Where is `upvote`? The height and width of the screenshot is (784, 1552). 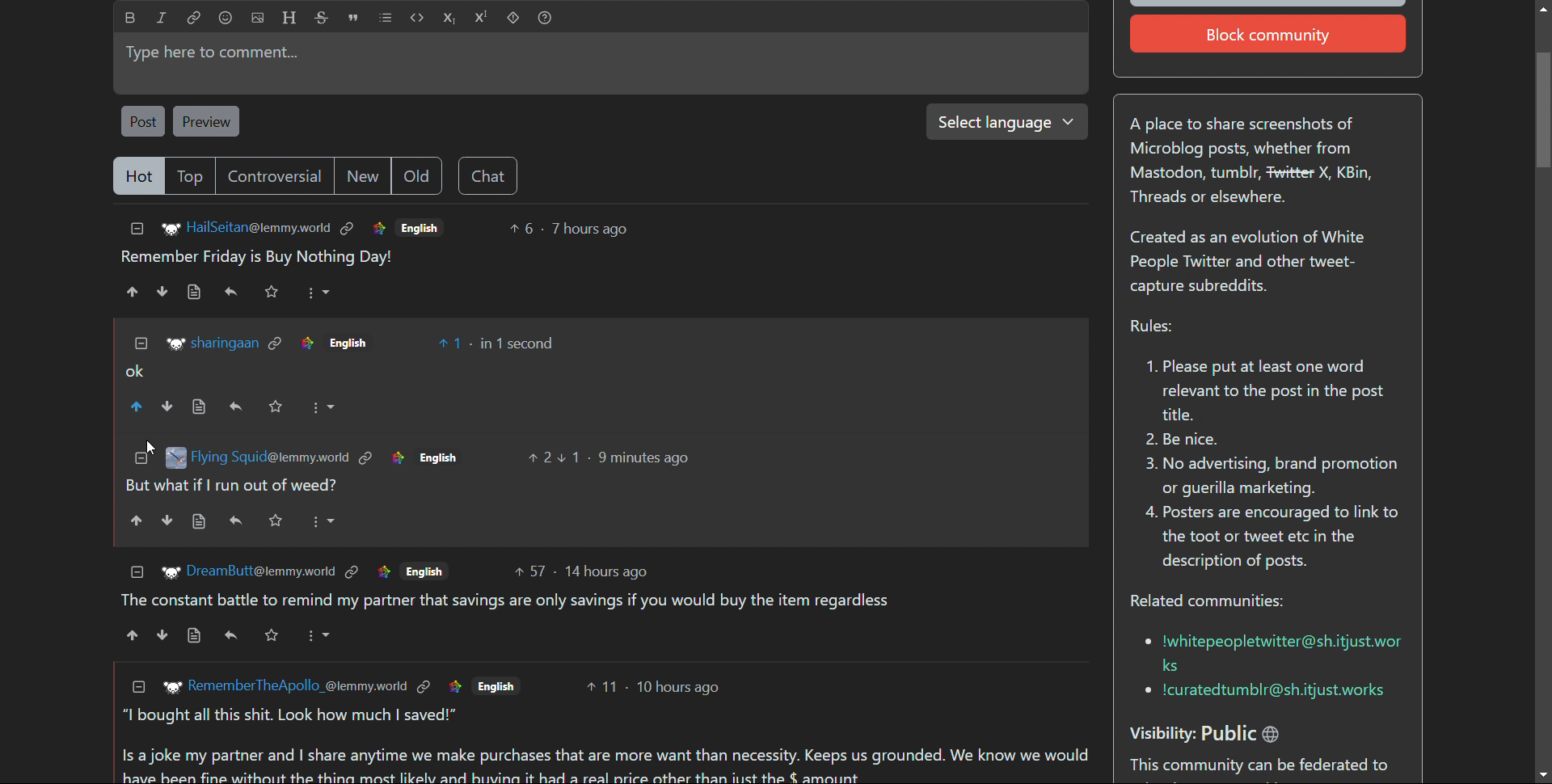
upvote is located at coordinates (137, 524).